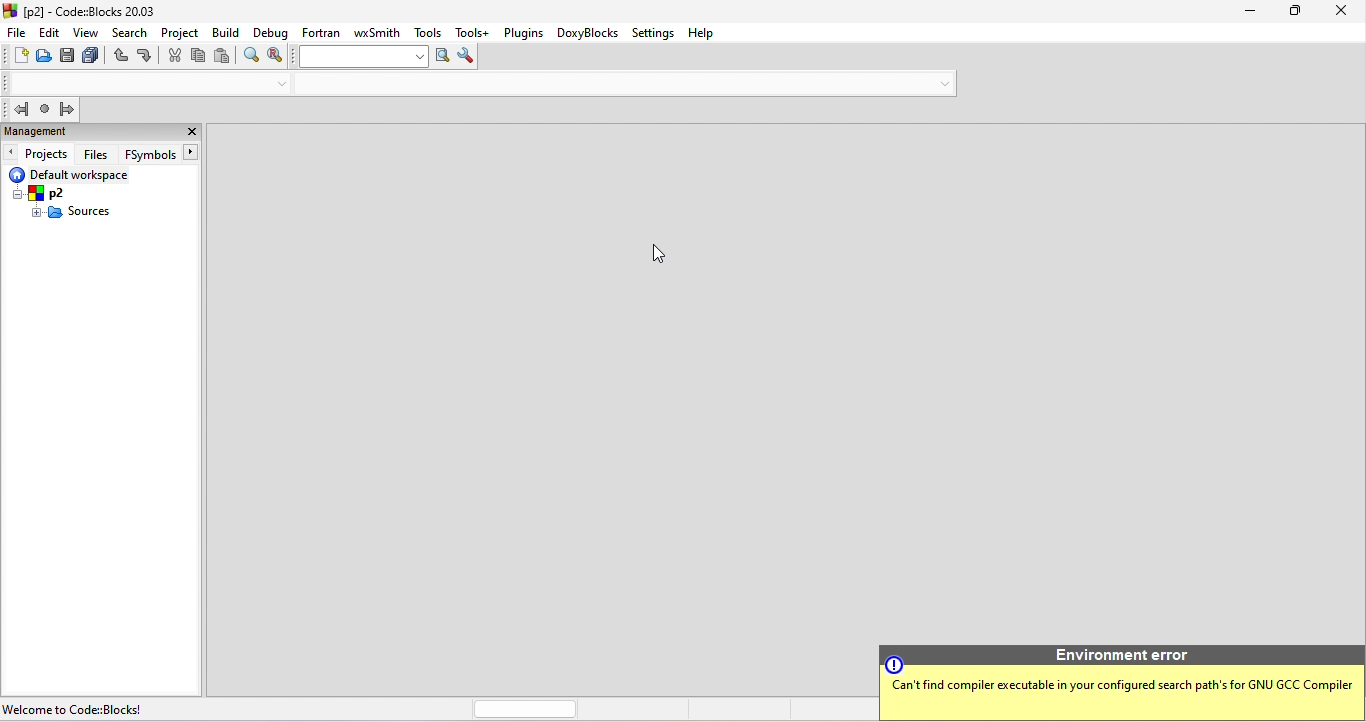 This screenshot has width=1366, height=722. What do you see at coordinates (589, 35) in the screenshot?
I see `doxyblocks` at bounding box center [589, 35].